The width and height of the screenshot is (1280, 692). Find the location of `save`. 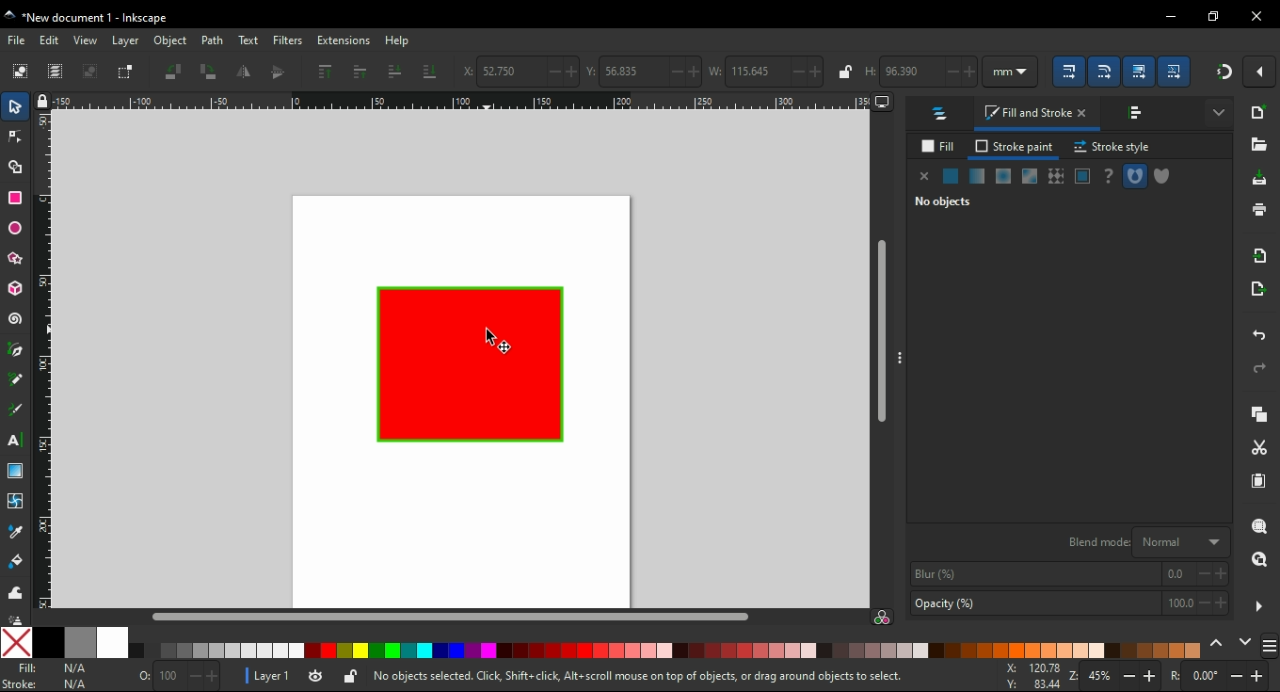

save is located at coordinates (1256, 179).